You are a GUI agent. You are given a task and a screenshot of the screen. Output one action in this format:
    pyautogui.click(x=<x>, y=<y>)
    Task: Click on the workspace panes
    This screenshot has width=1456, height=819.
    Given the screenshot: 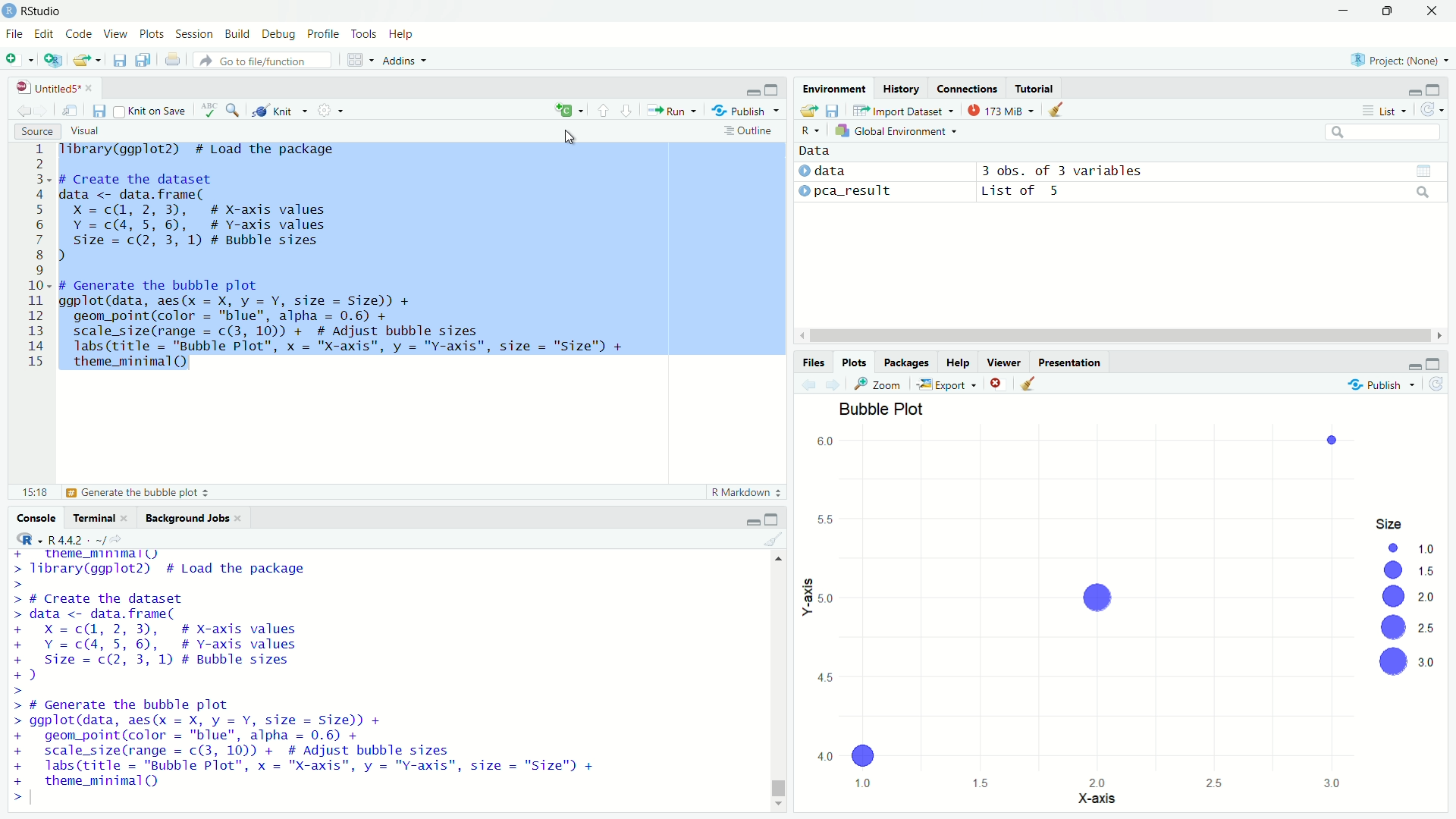 What is the action you would take?
    pyautogui.click(x=357, y=60)
    